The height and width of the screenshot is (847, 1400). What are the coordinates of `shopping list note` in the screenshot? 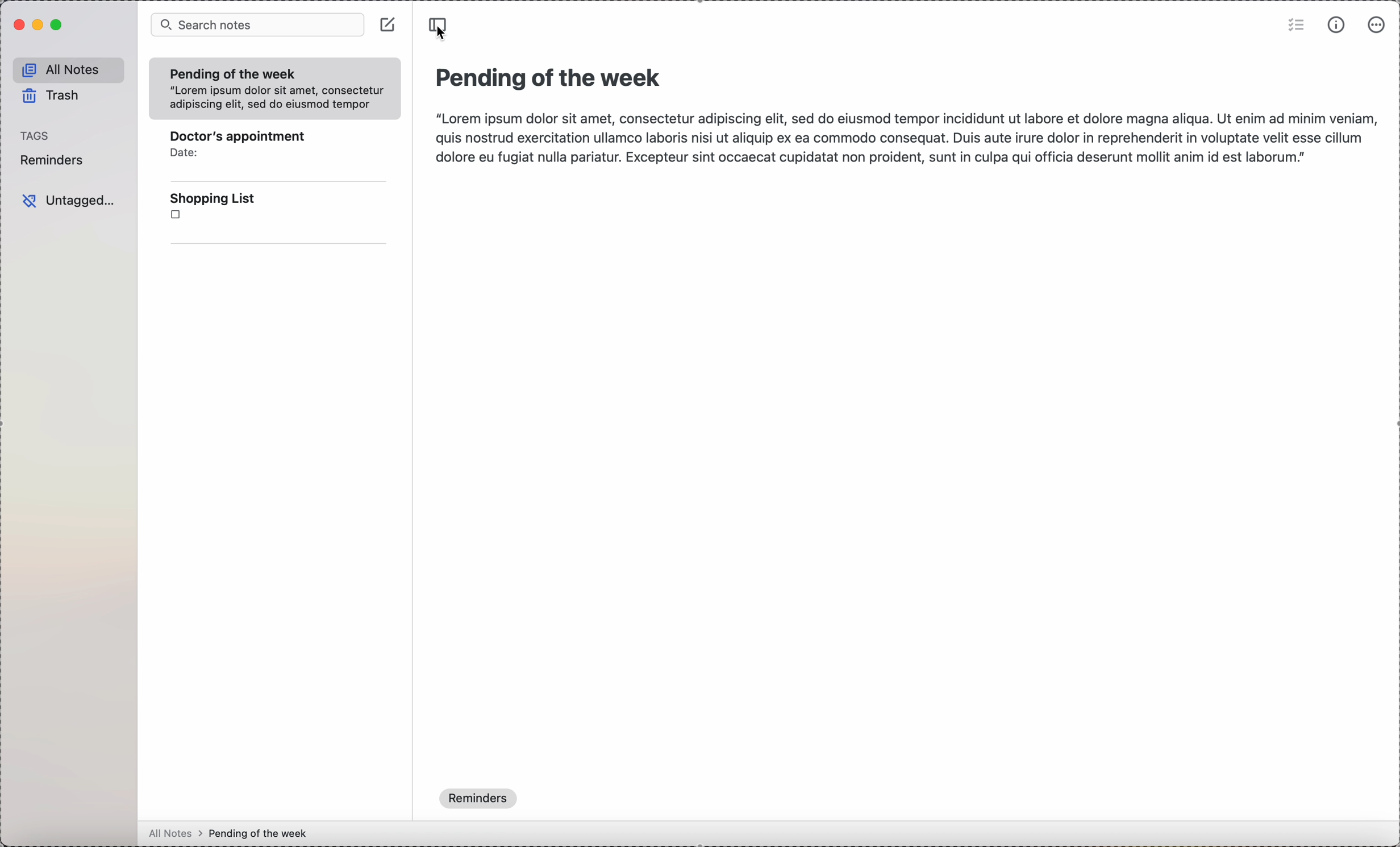 It's located at (246, 213).